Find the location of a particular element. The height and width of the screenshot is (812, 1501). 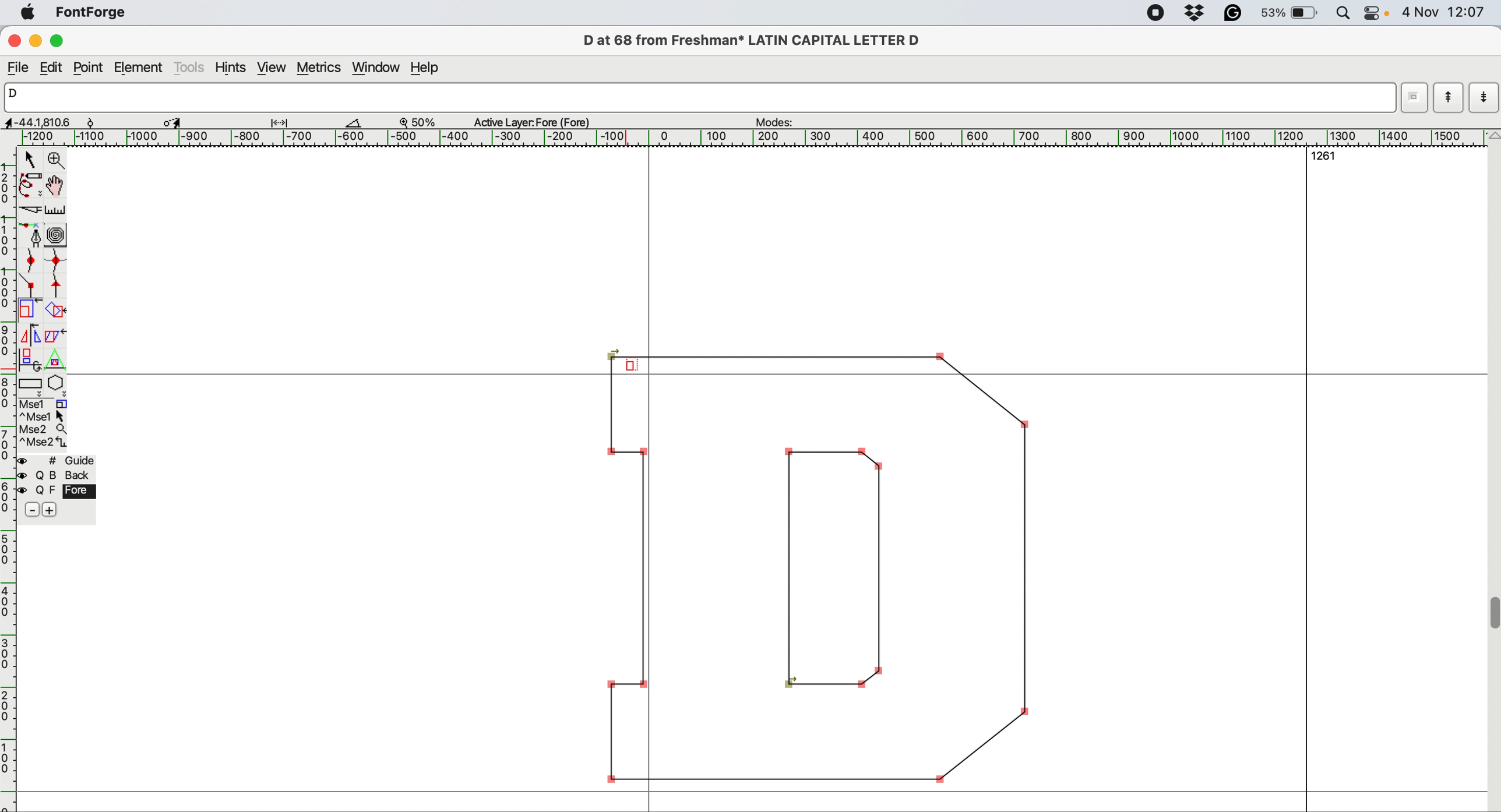

battery is located at coordinates (1291, 13).